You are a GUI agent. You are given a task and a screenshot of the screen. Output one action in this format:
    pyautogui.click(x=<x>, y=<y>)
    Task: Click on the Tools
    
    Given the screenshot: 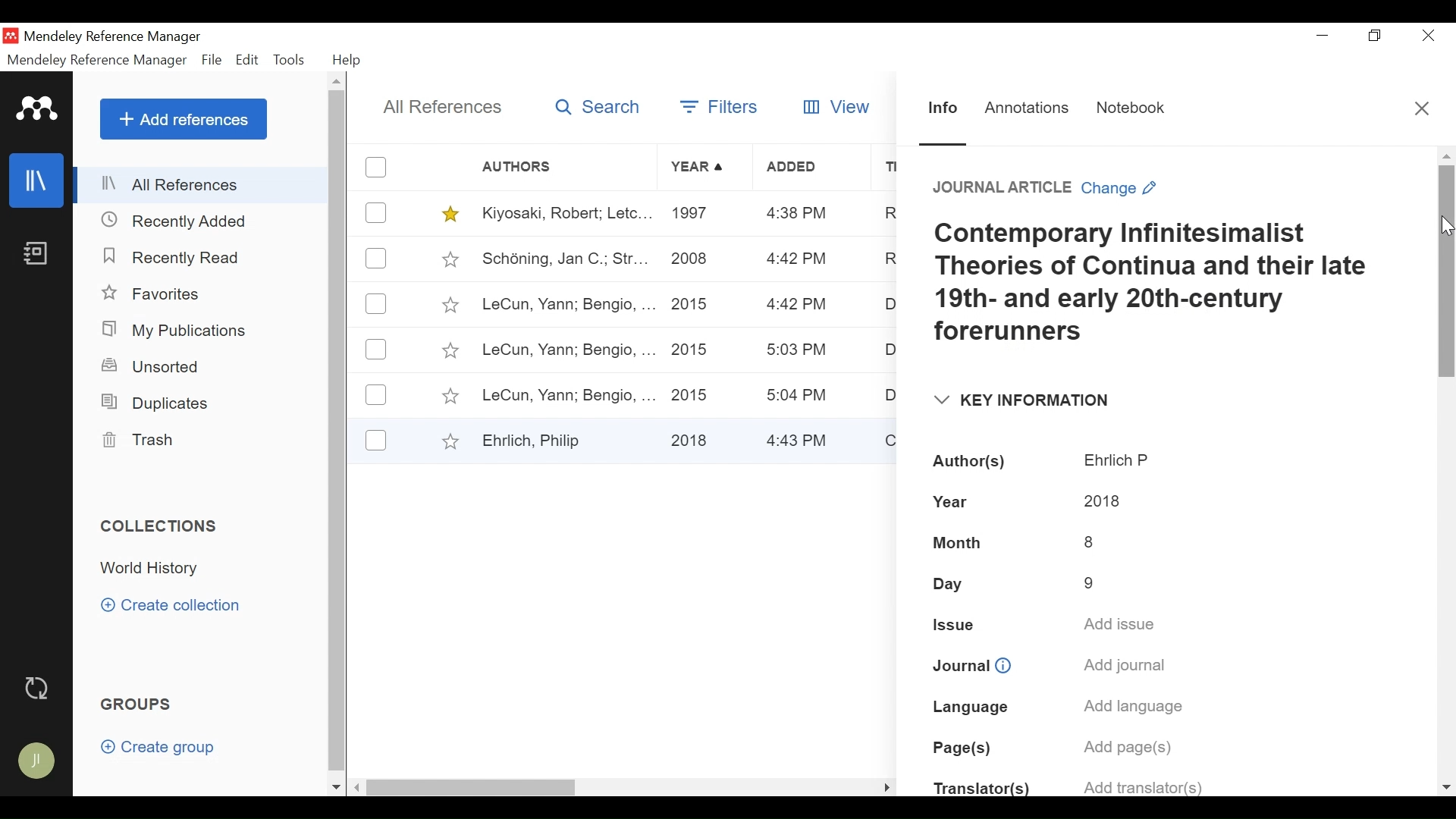 What is the action you would take?
    pyautogui.click(x=290, y=61)
    